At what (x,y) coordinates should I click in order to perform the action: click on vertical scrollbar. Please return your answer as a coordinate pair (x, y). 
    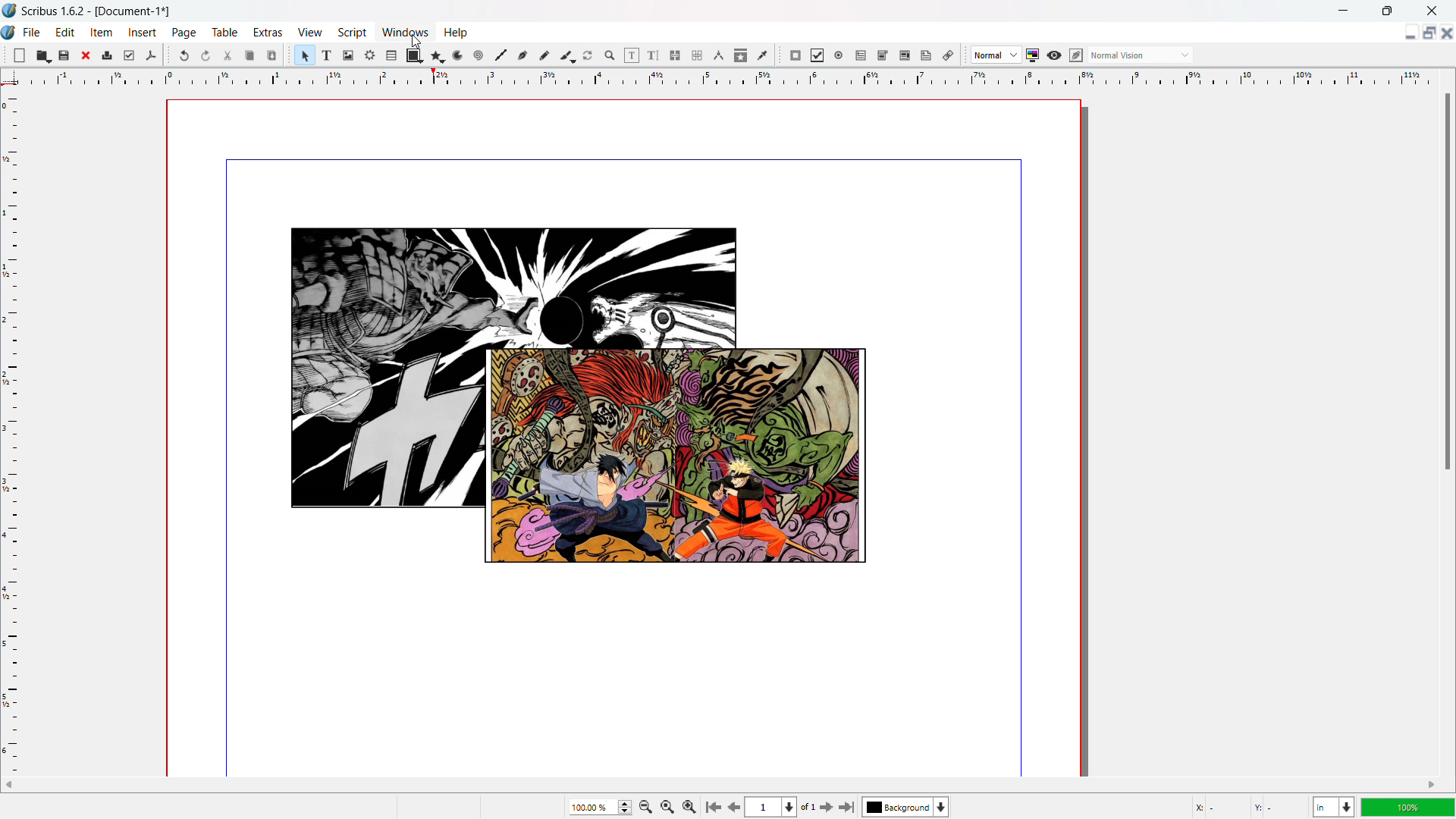
    Looking at the image, I should click on (1447, 281).